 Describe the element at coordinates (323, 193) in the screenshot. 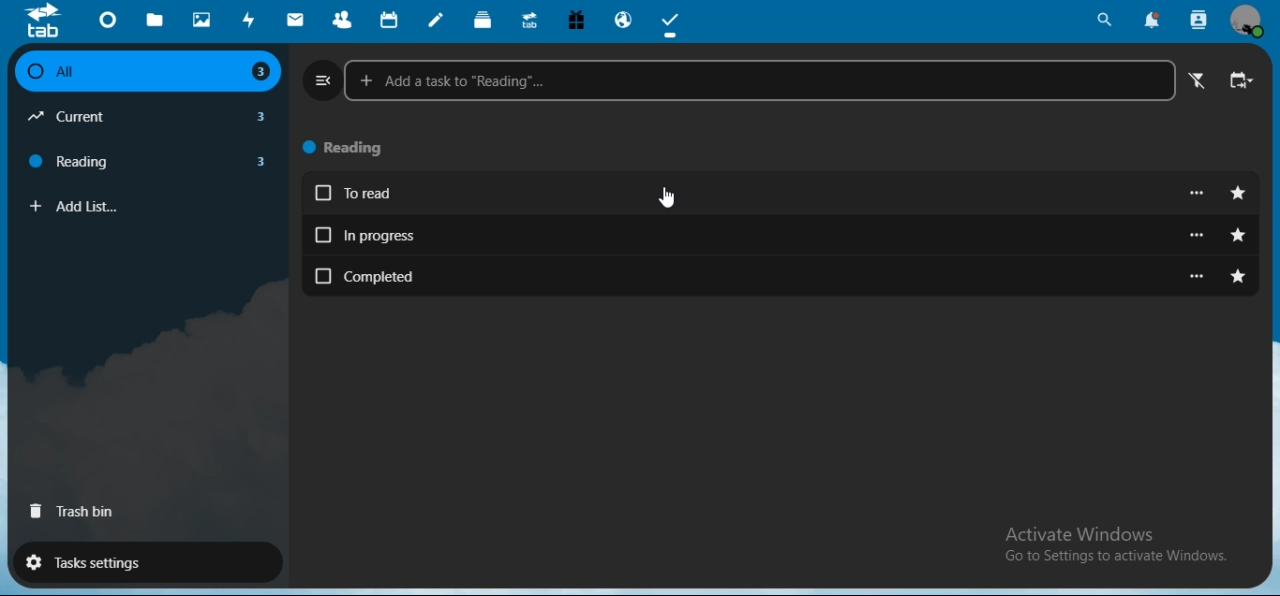

I see `Checkbox` at that location.